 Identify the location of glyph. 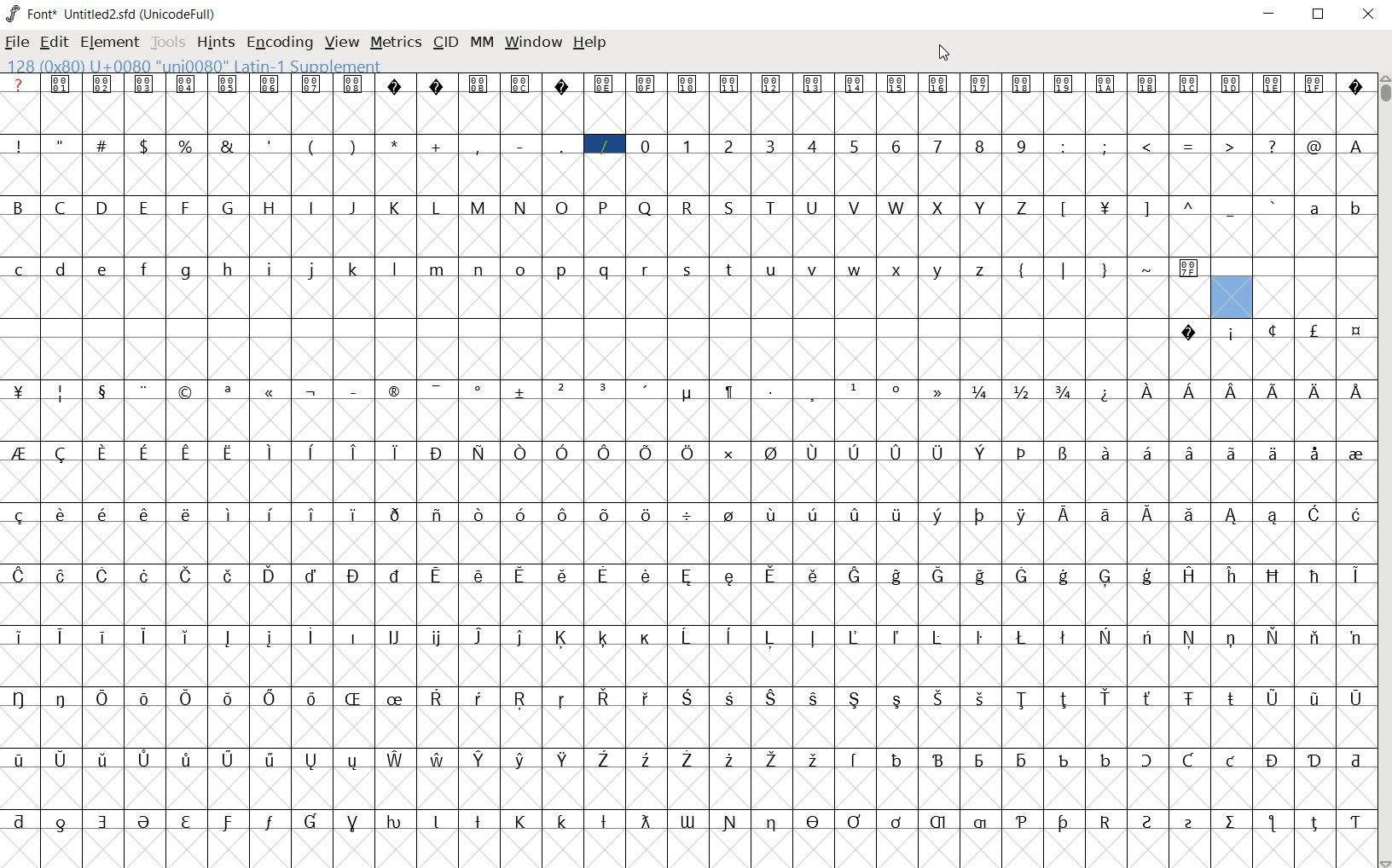
(604, 697).